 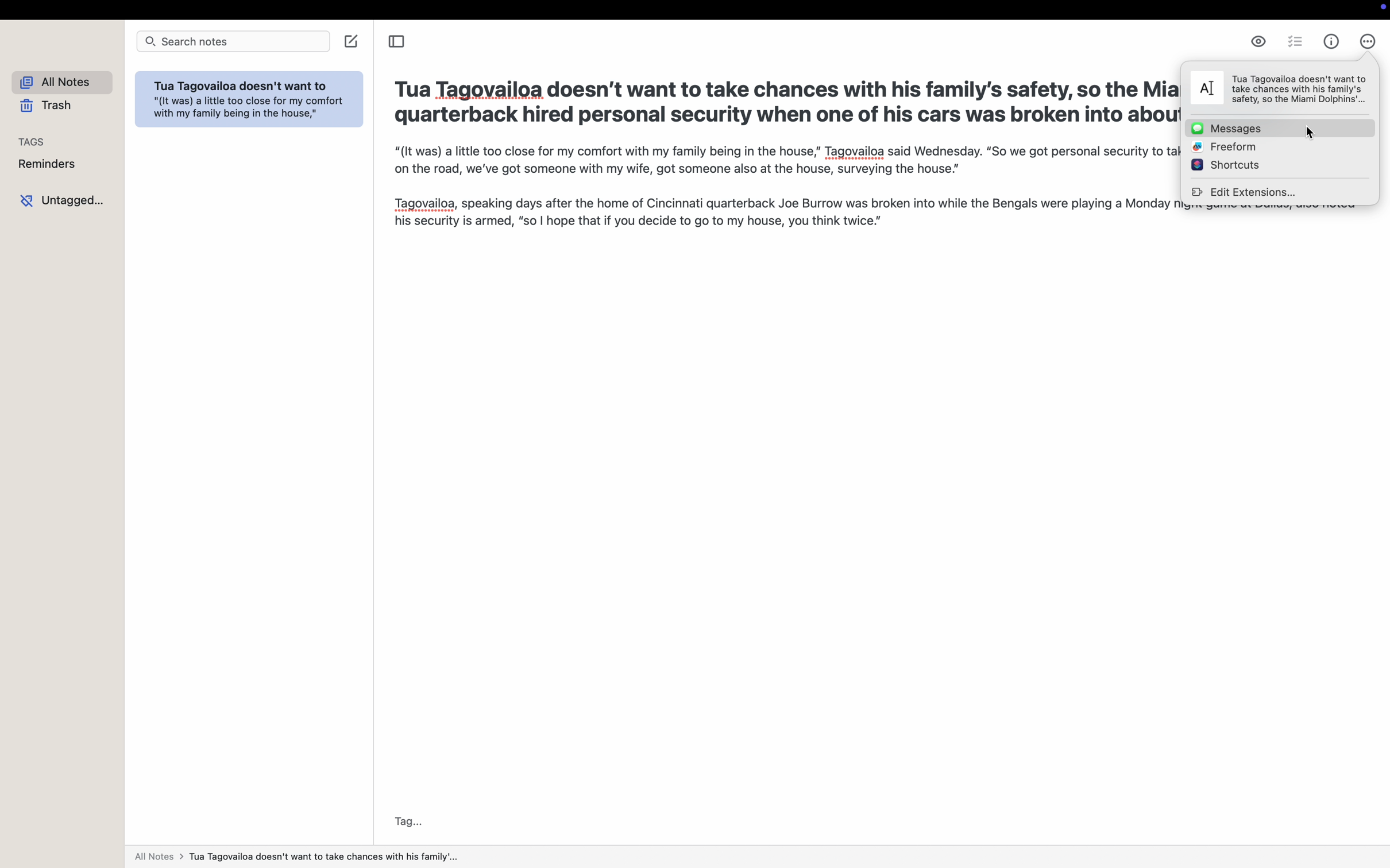 I want to click on freeform, so click(x=1222, y=147).